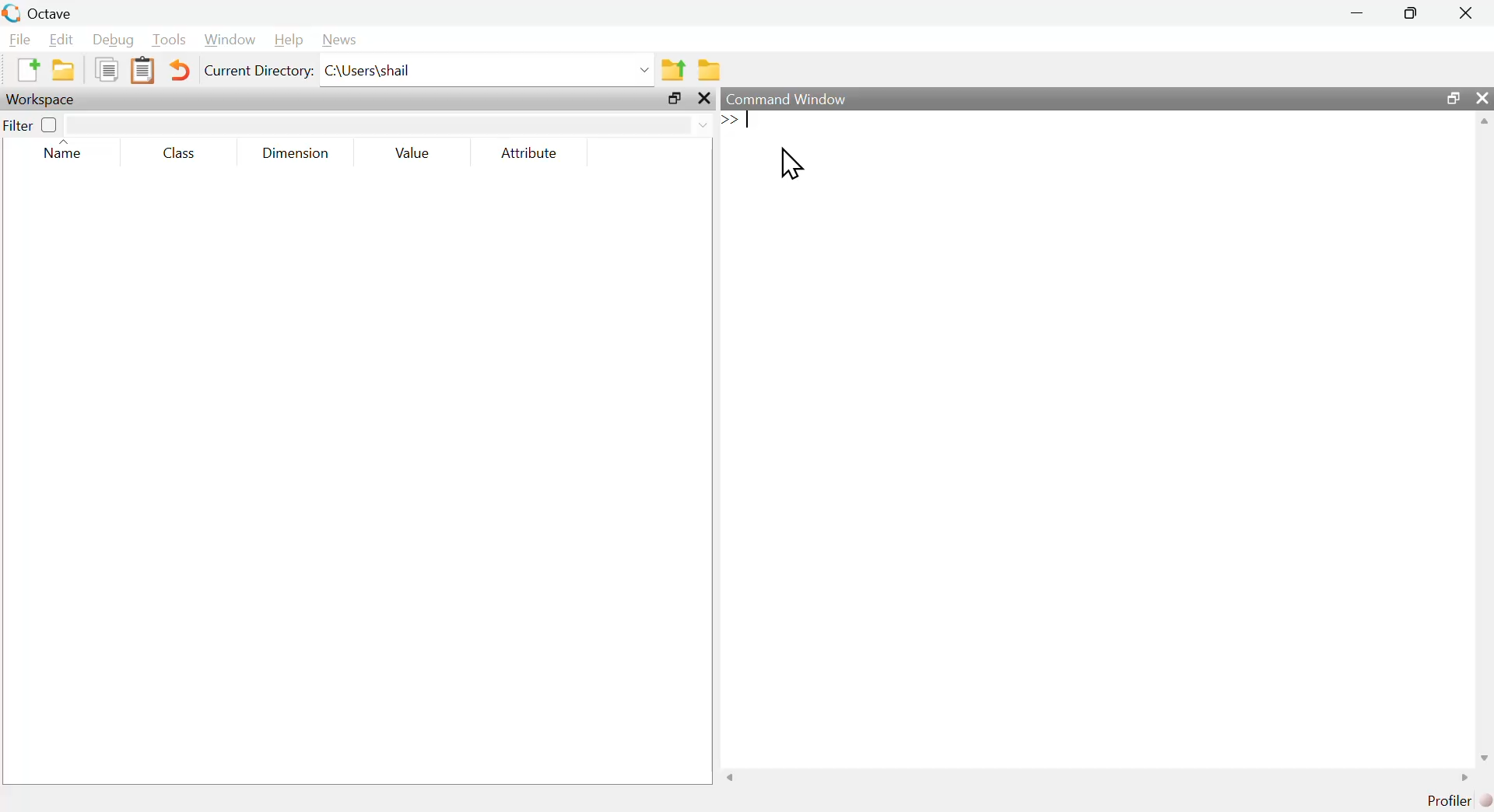 This screenshot has height=812, width=1494. What do you see at coordinates (68, 151) in the screenshot?
I see `name` at bounding box center [68, 151].